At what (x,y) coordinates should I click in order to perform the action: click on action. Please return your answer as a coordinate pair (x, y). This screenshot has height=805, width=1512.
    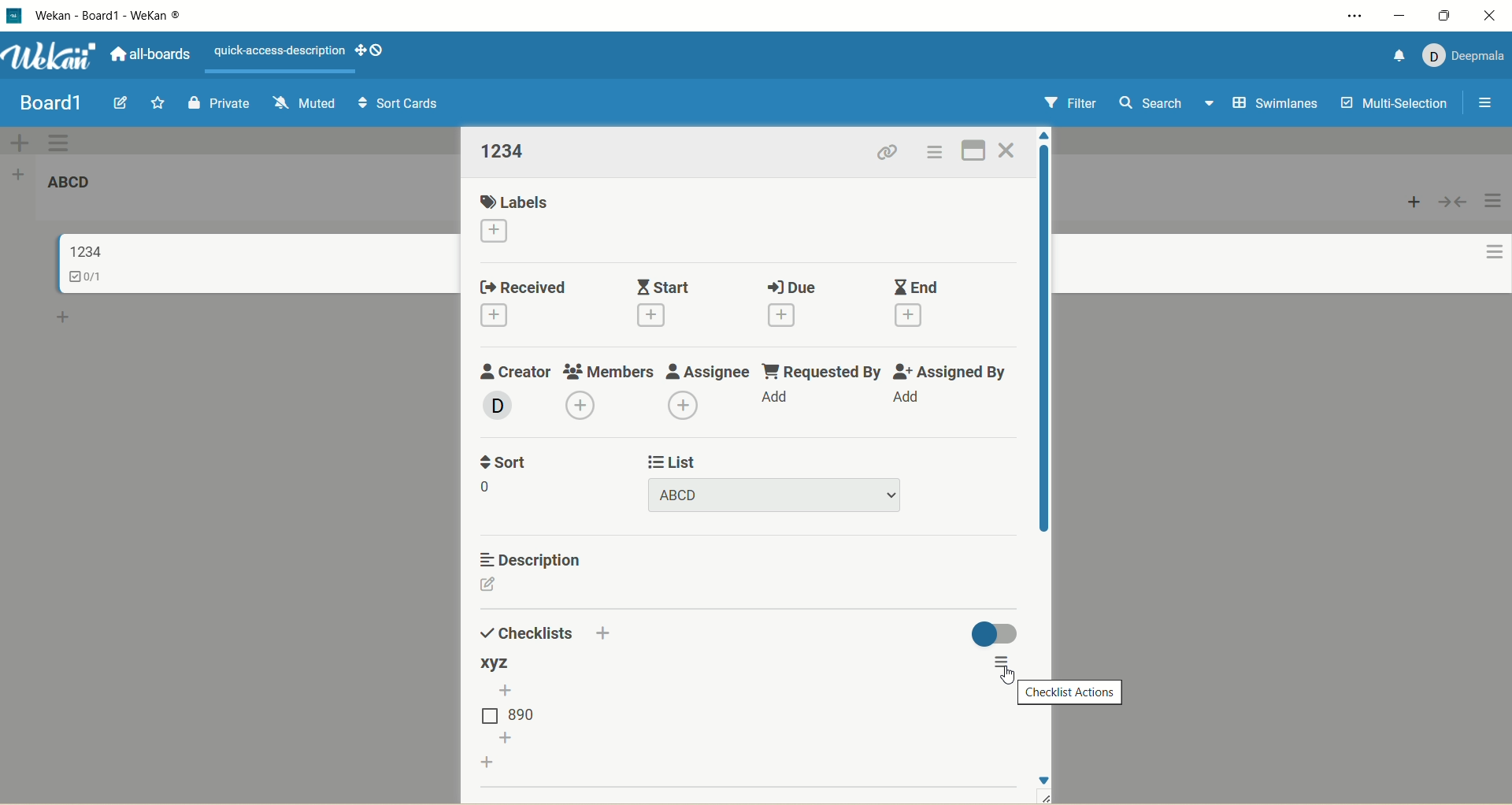
    Looking at the image, I should click on (1495, 232).